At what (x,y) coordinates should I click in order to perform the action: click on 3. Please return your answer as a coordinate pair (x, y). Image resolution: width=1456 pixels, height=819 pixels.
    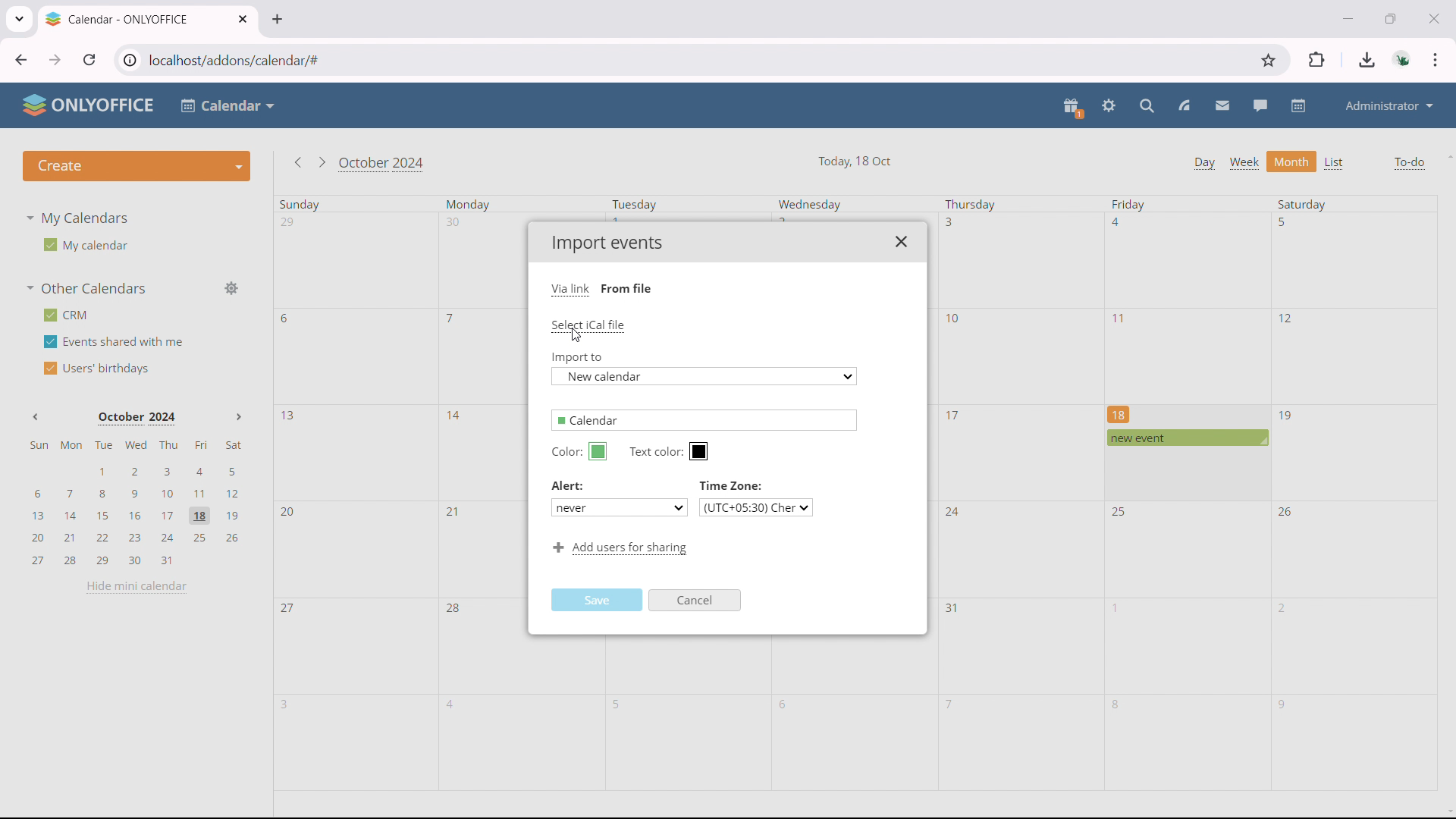
    Looking at the image, I should click on (288, 704).